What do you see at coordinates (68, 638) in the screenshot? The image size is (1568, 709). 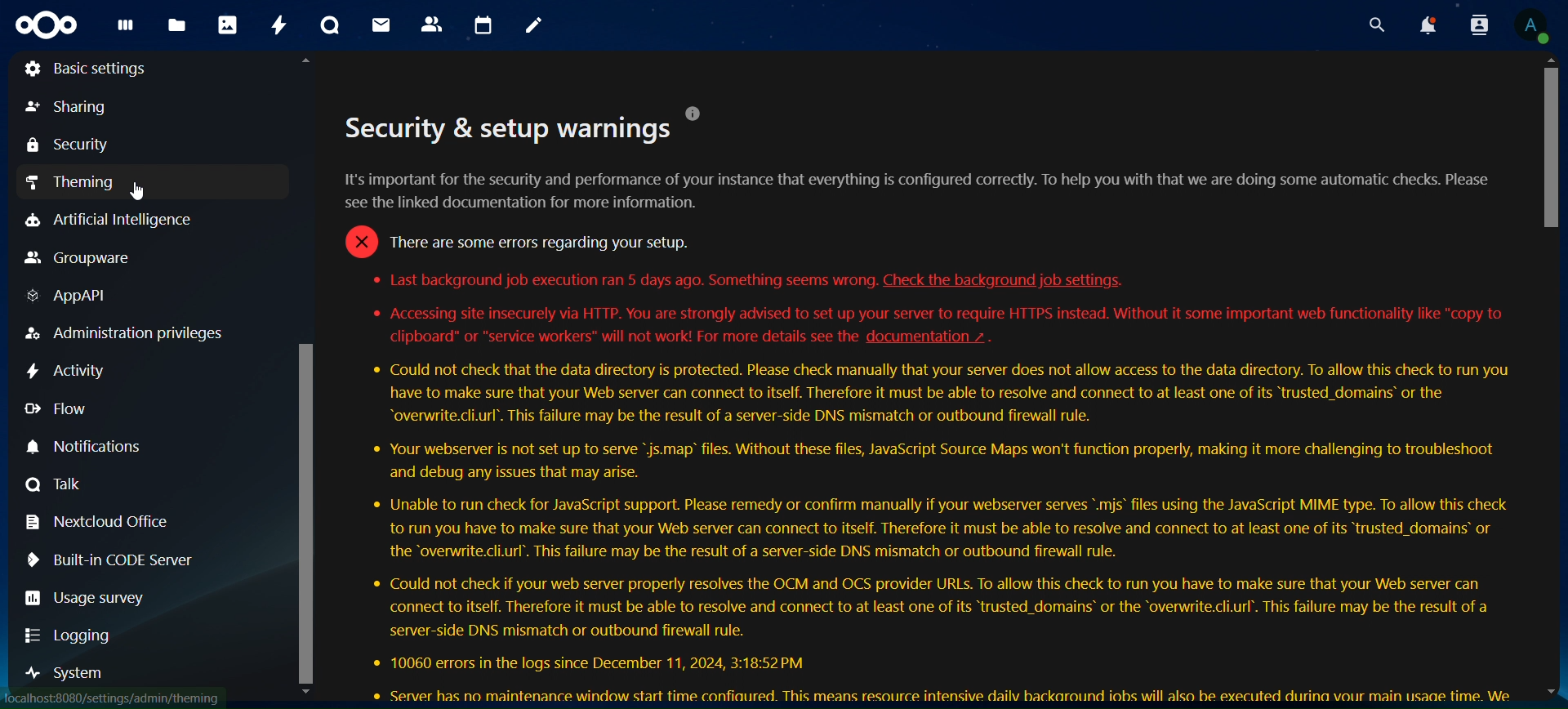 I see `logging` at bounding box center [68, 638].